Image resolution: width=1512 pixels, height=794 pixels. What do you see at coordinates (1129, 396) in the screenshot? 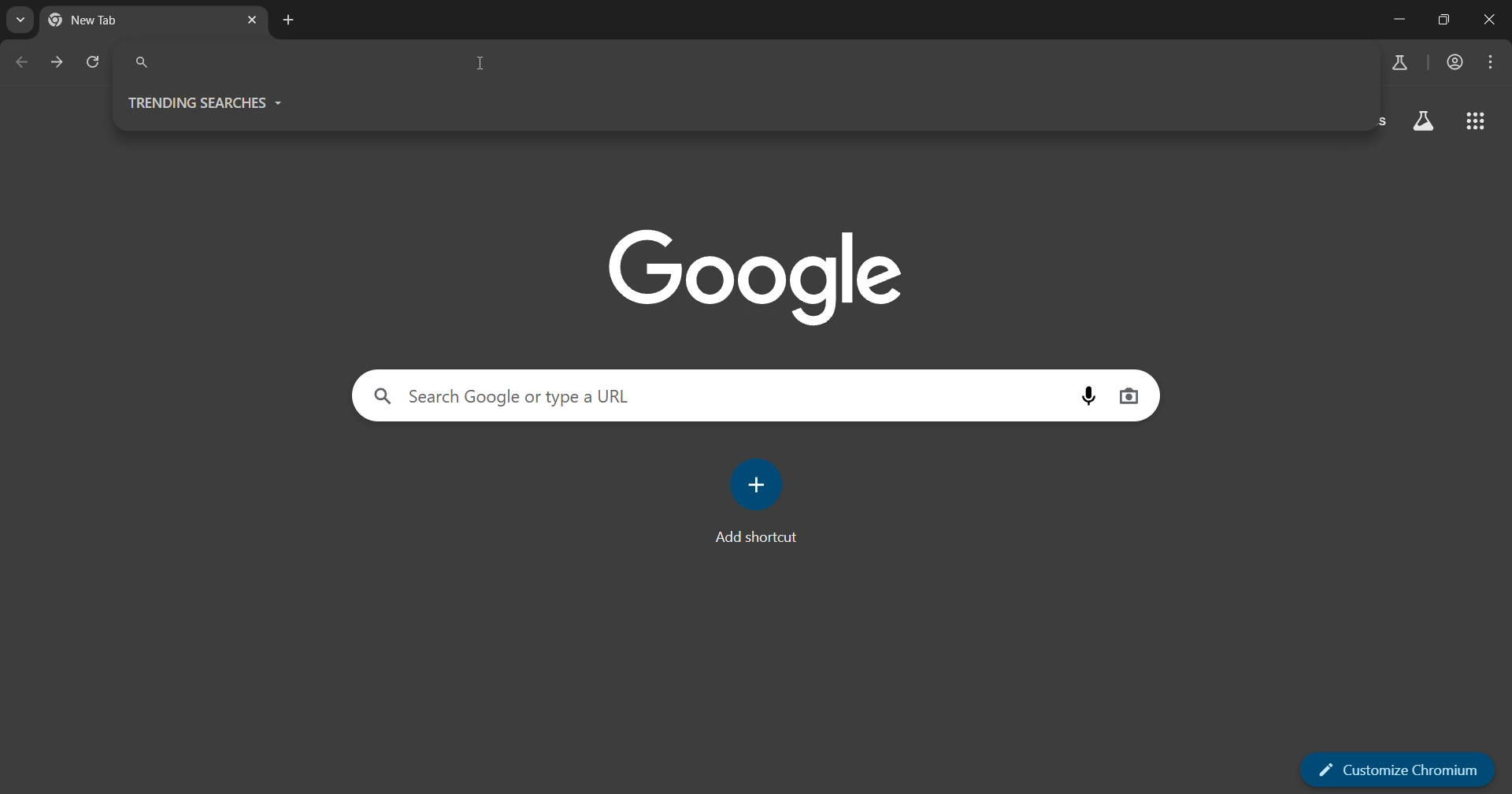
I see `image search` at bounding box center [1129, 396].